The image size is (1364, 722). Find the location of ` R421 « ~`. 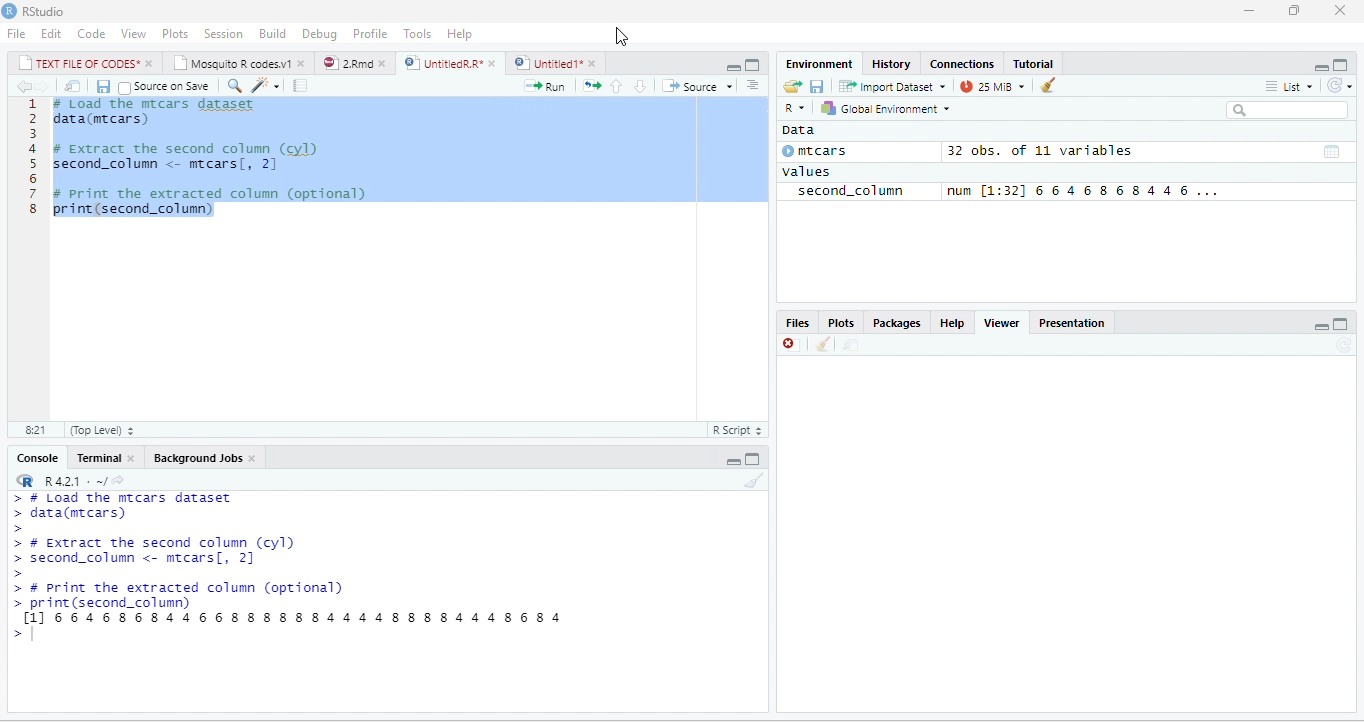

 R421 « ~ is located at coordinates (66, 478).